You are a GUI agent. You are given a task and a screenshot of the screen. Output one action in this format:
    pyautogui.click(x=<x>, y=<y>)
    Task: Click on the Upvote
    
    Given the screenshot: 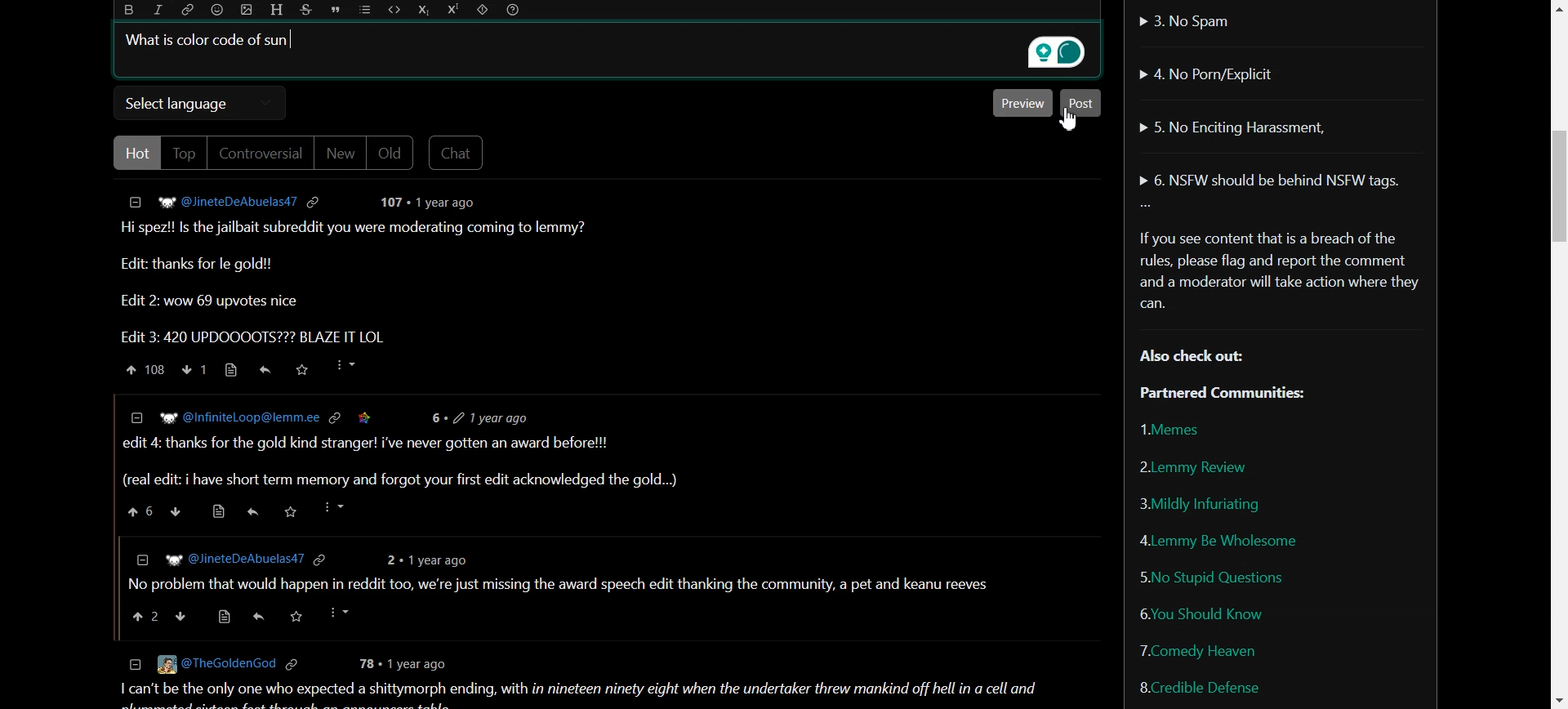 What is the action you would take?
    pyautogui.click(x=148, y=369)
    